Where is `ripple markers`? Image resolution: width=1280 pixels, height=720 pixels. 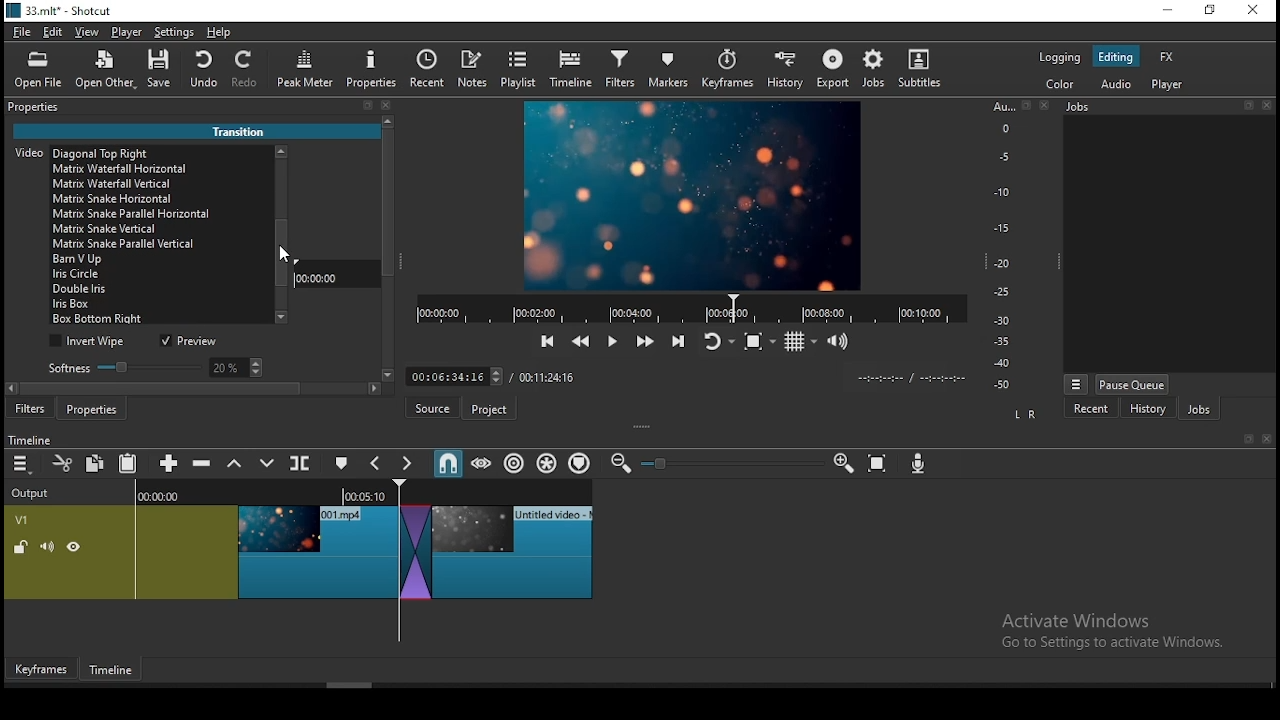 ripple markers is located at coordinates (579, 463).